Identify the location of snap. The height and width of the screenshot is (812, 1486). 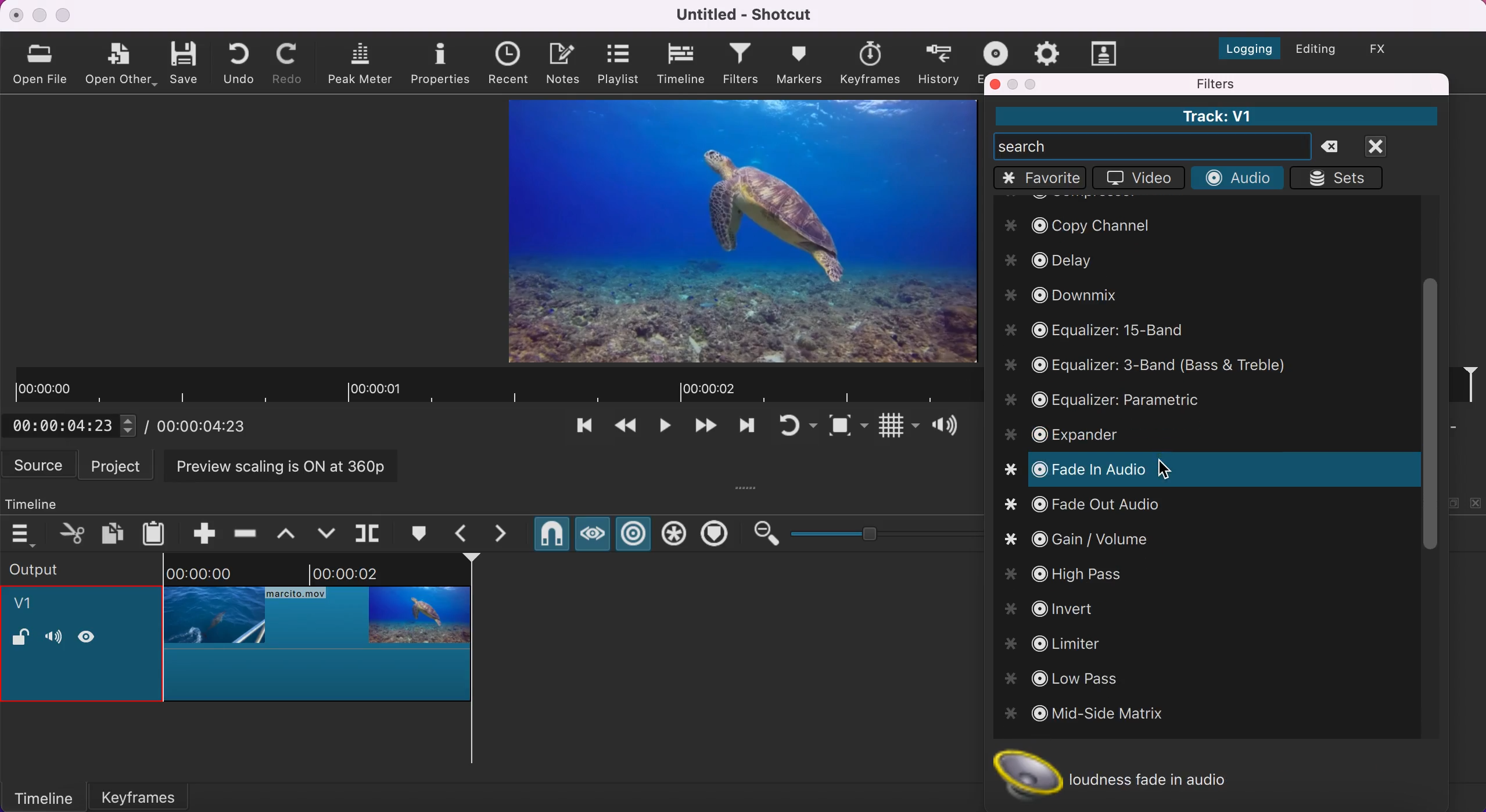
(551, 536).